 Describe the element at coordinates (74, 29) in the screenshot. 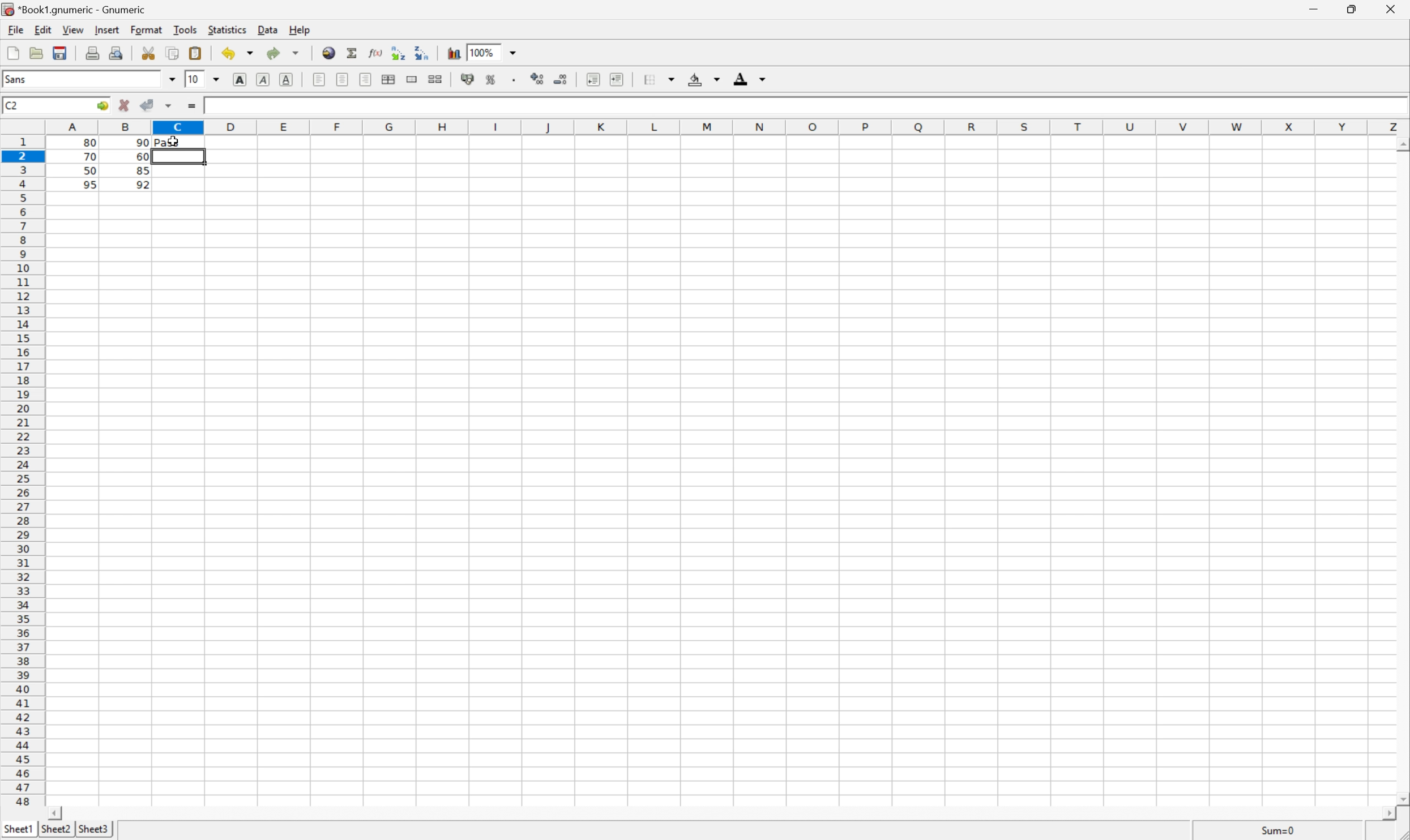

I see `View` at that location.